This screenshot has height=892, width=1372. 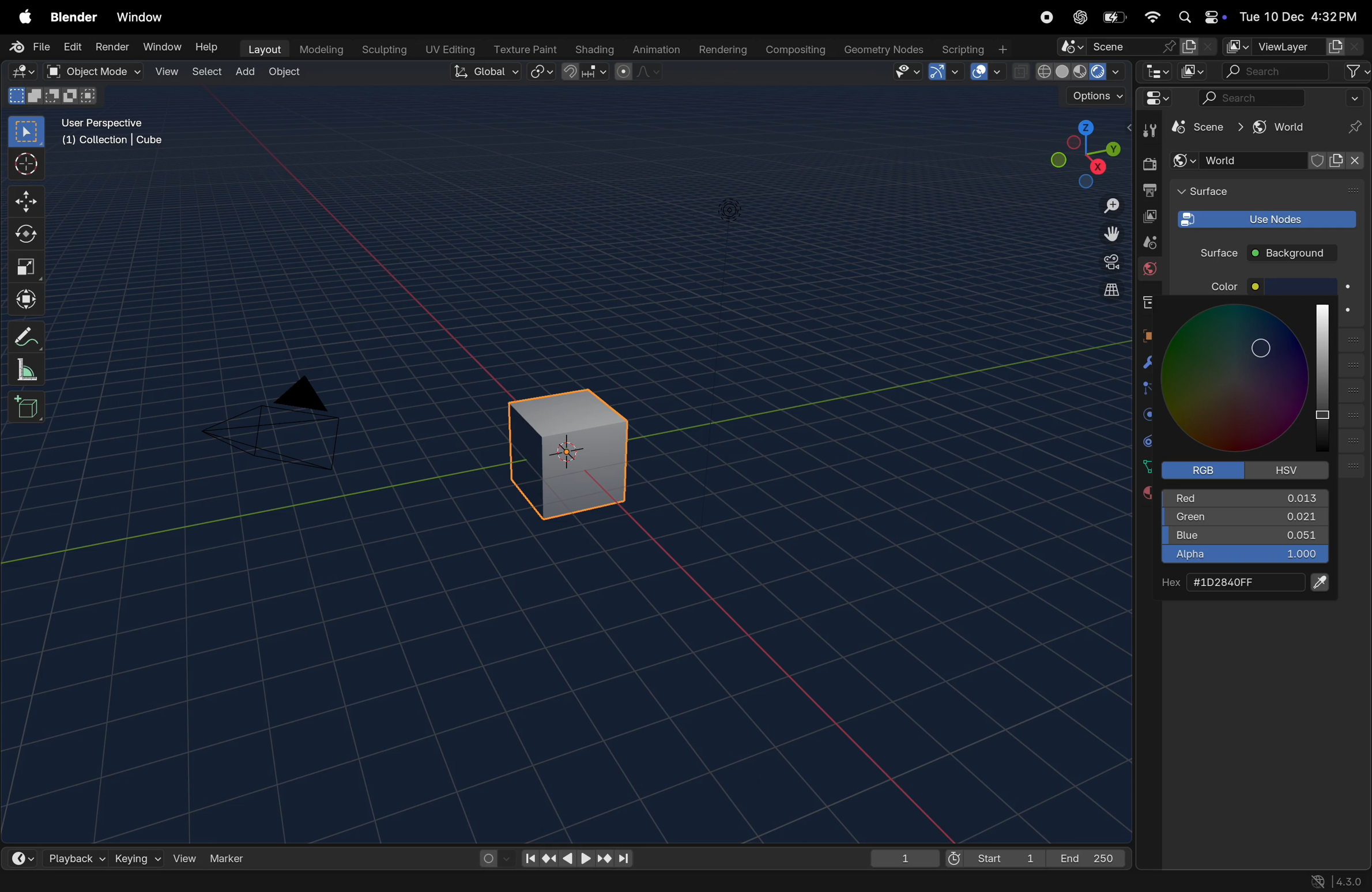 I want to click on UV editing, so click(x=447, y=50).